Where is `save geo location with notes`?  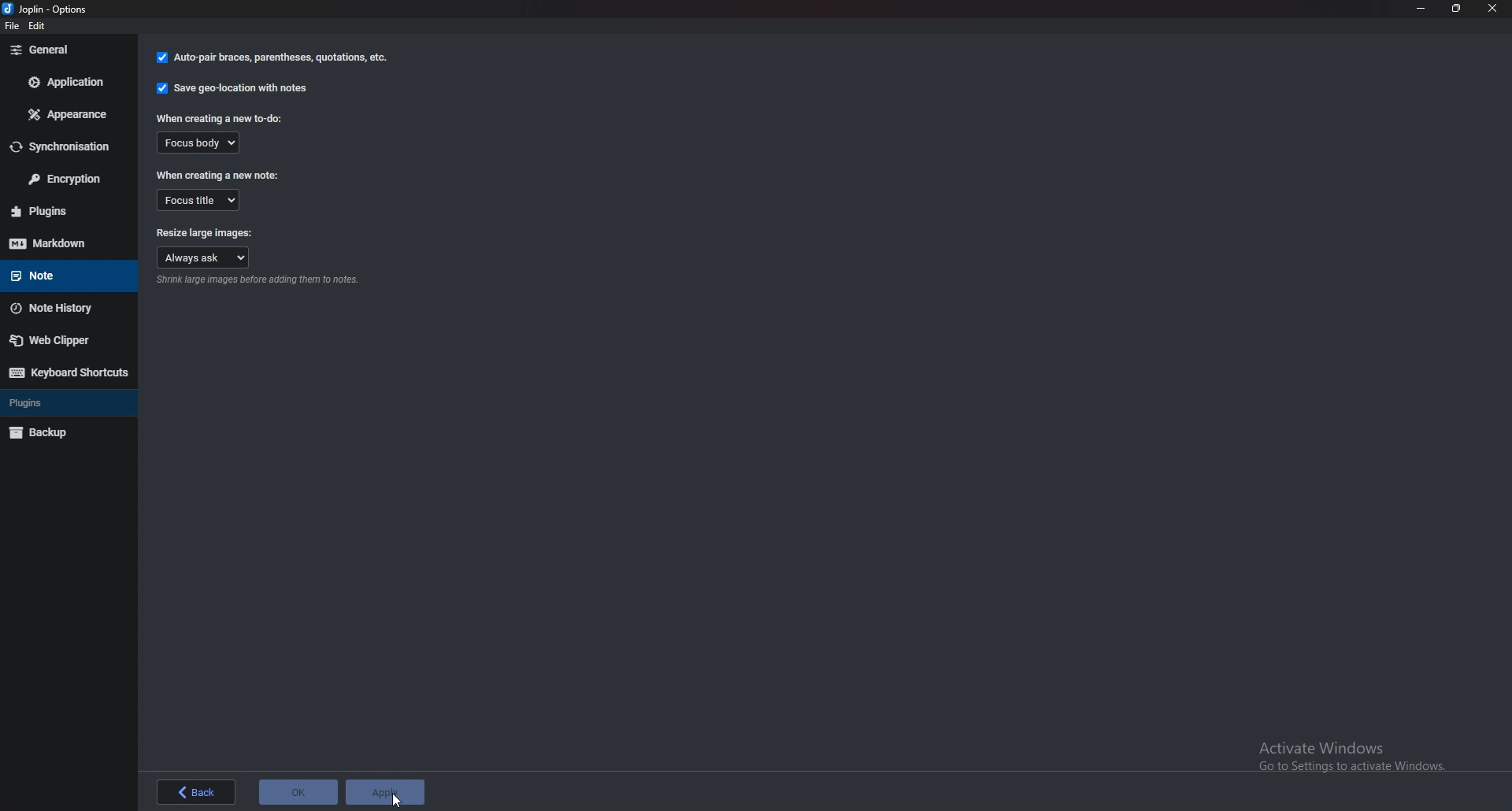
save geo location with notes is located at coordinates (234, 88).